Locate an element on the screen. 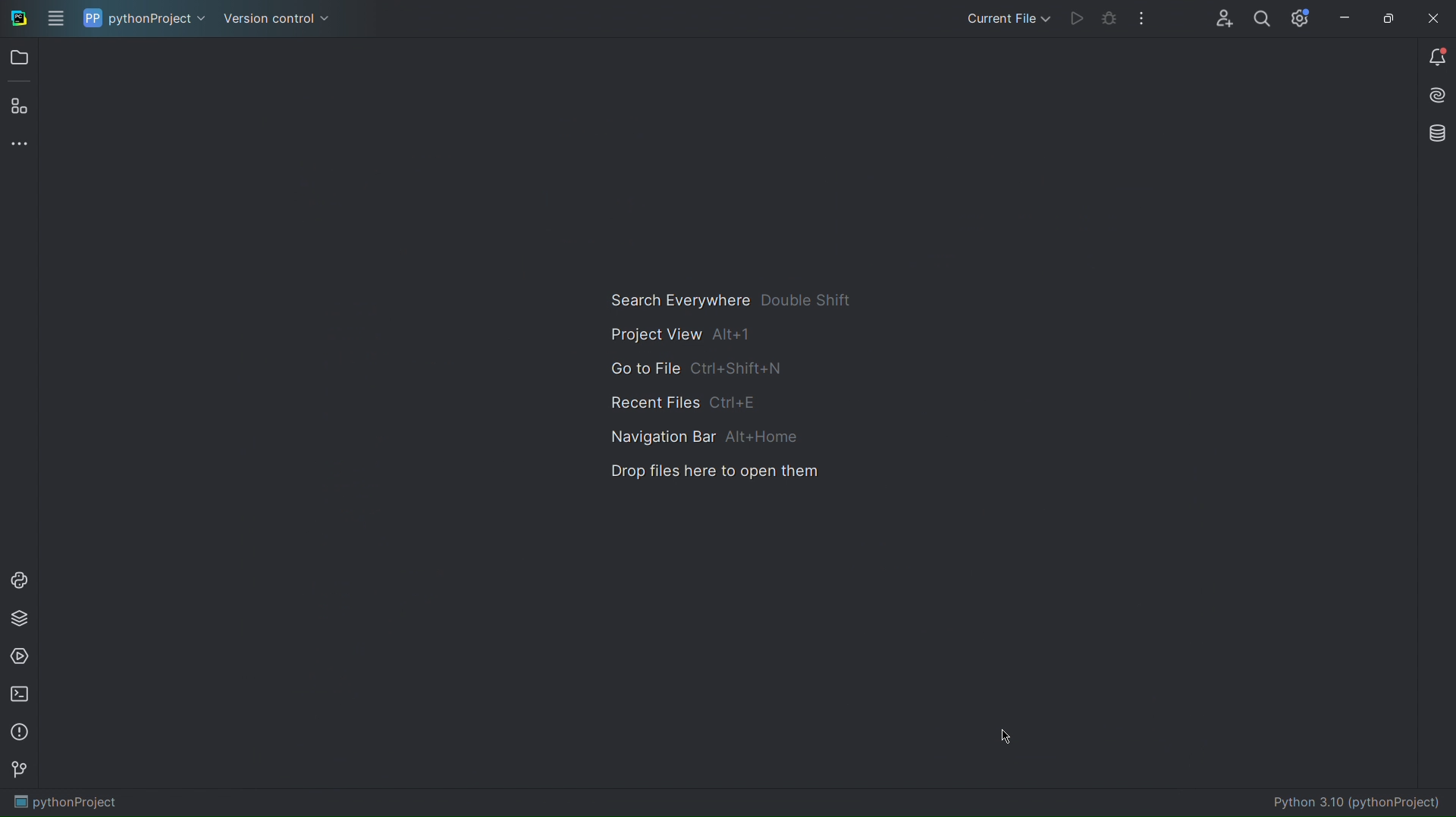 The image size is (1456, 817). Minimize  is located at coordinates (1344, 18).